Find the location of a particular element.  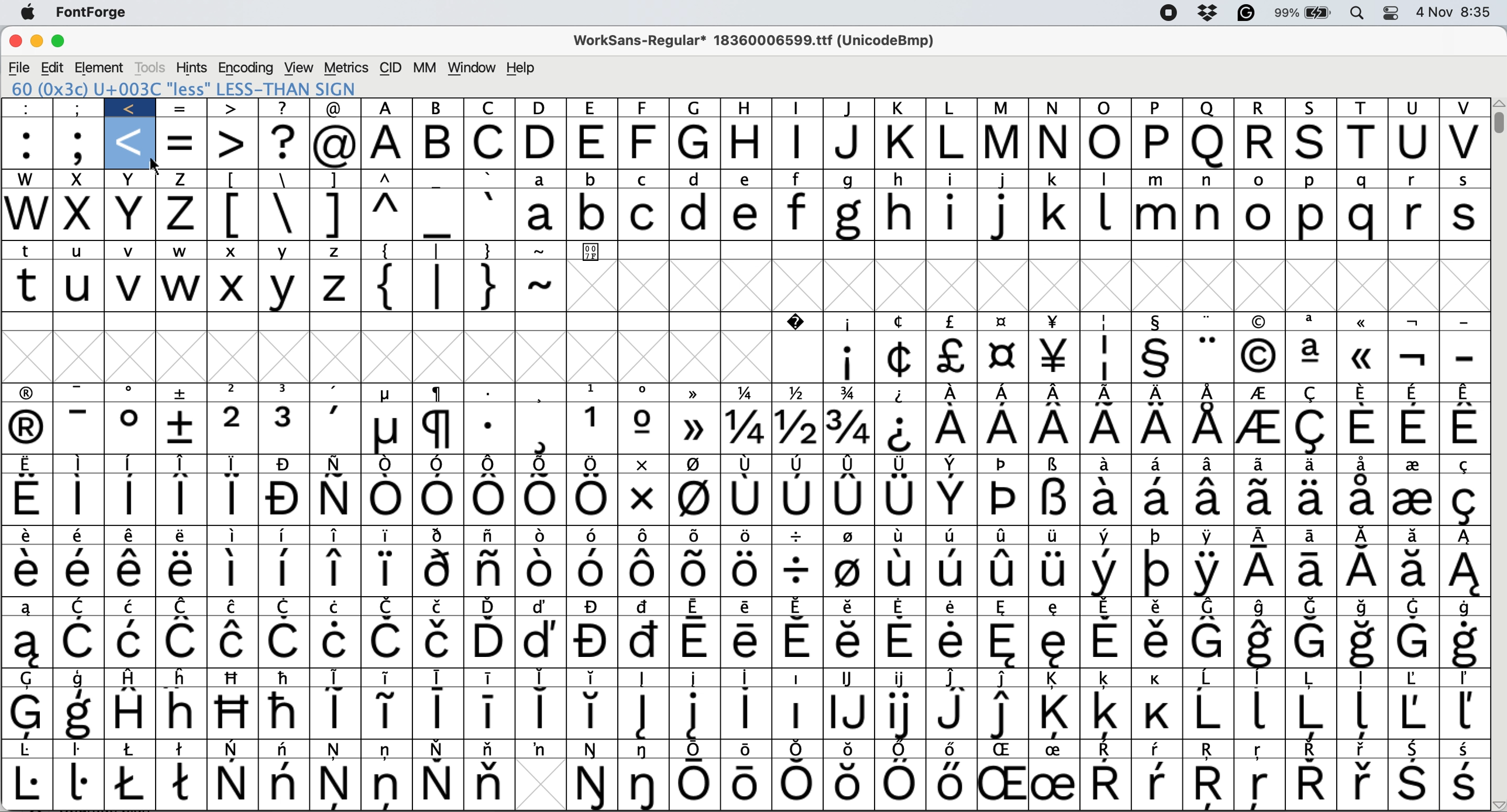

x is located at coordinates (80, 180).